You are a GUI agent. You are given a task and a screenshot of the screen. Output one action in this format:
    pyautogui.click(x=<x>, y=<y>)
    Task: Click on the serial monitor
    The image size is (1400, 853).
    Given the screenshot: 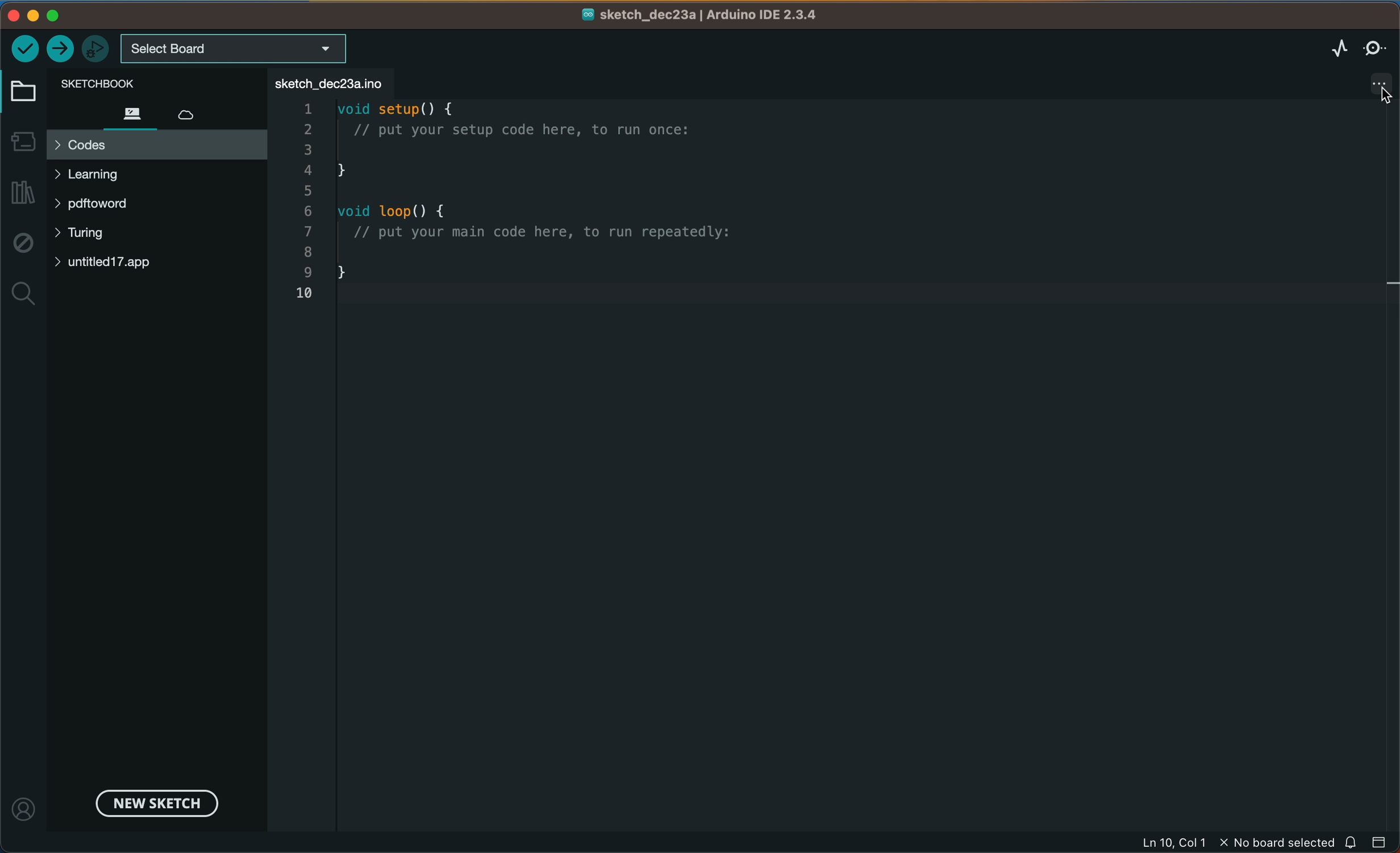 What is the action you would take?
    pyautogui.click(x=1376, y=47)
    